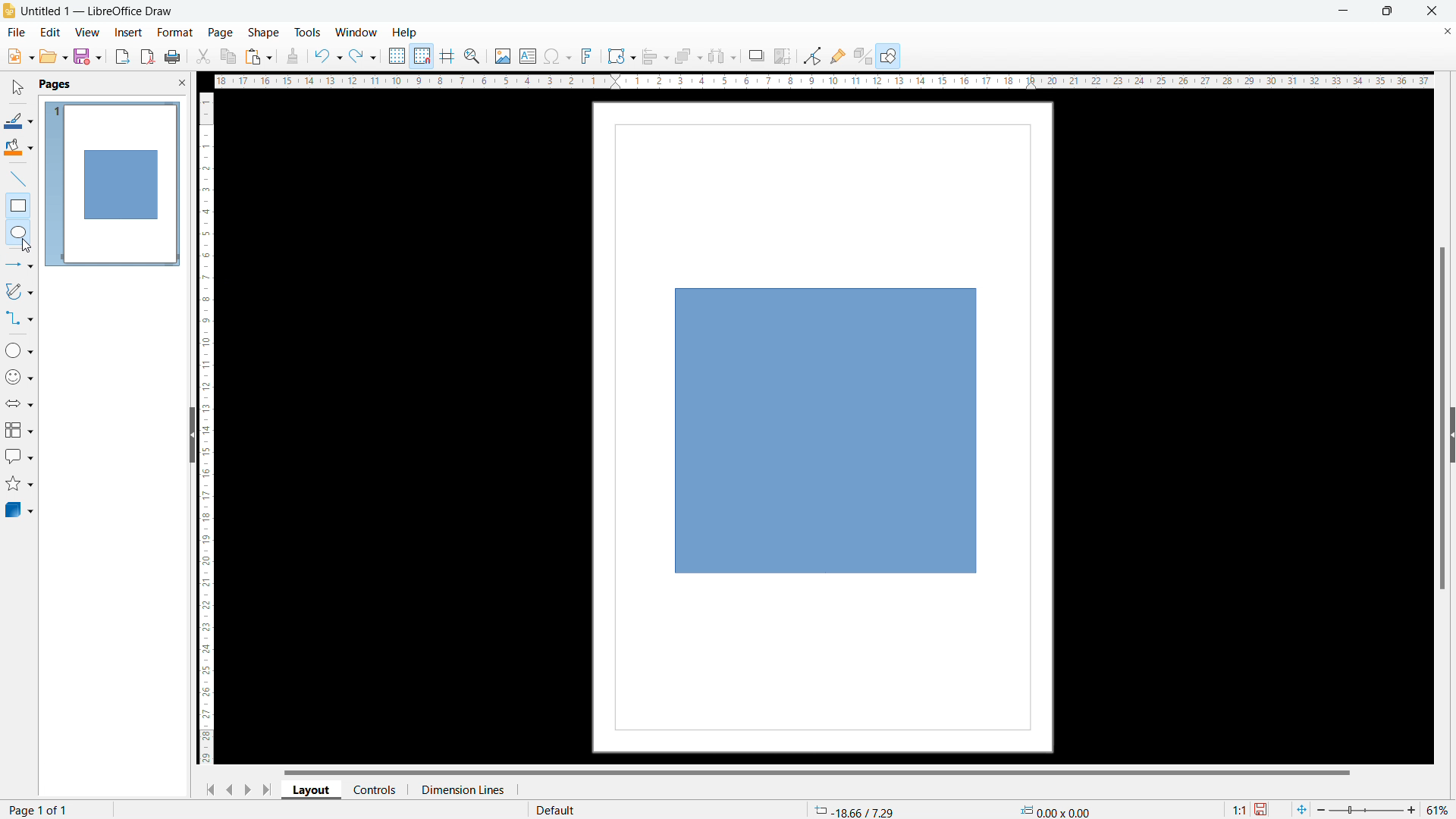 The width and height of the screenshot is (1456, 819). I want to click on align object, so click(654, 56).